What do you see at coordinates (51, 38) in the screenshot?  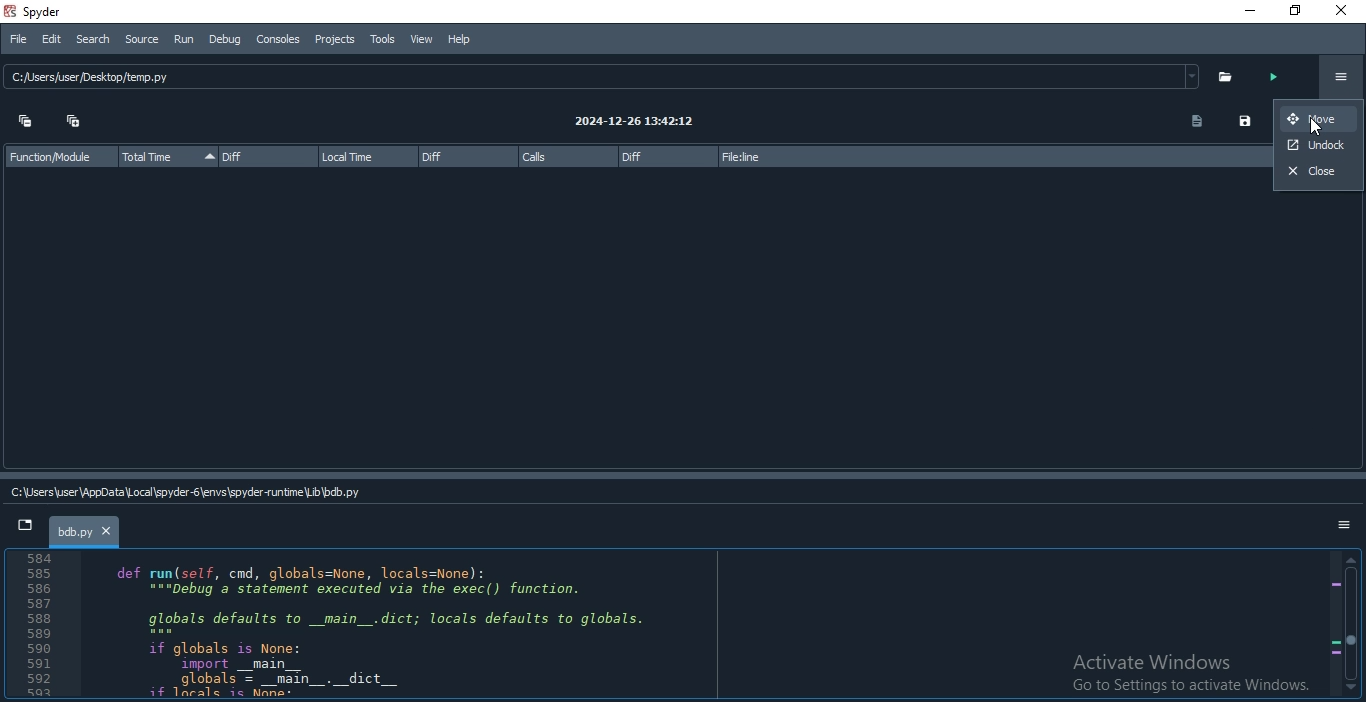 I see `Edit` at bounding box center [51, 38].